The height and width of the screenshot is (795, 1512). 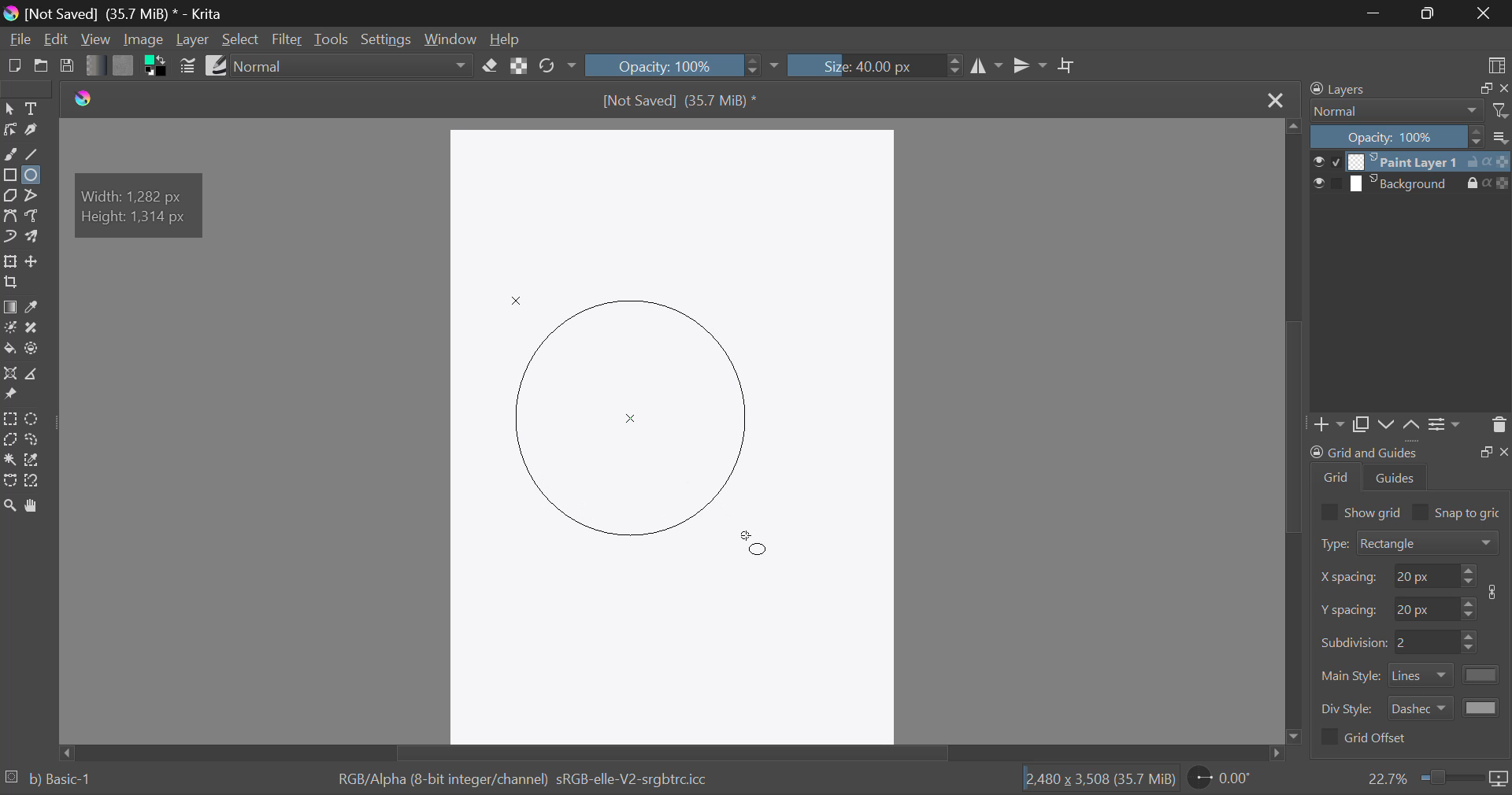 I want to click on Colors in Use, so click(x=157, y=68).